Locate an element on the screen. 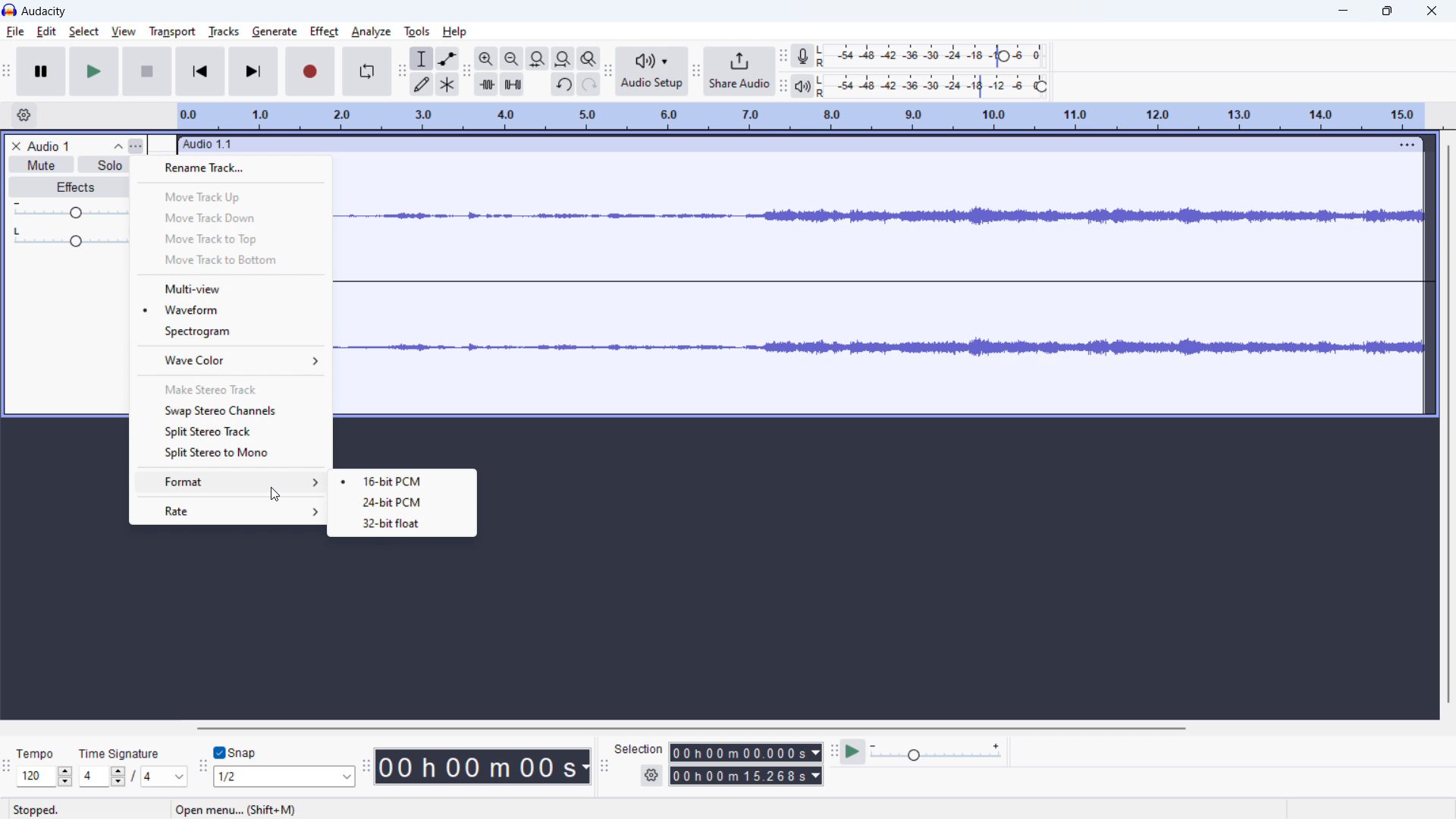  selection toolbar is located at coordinates (603, 766).